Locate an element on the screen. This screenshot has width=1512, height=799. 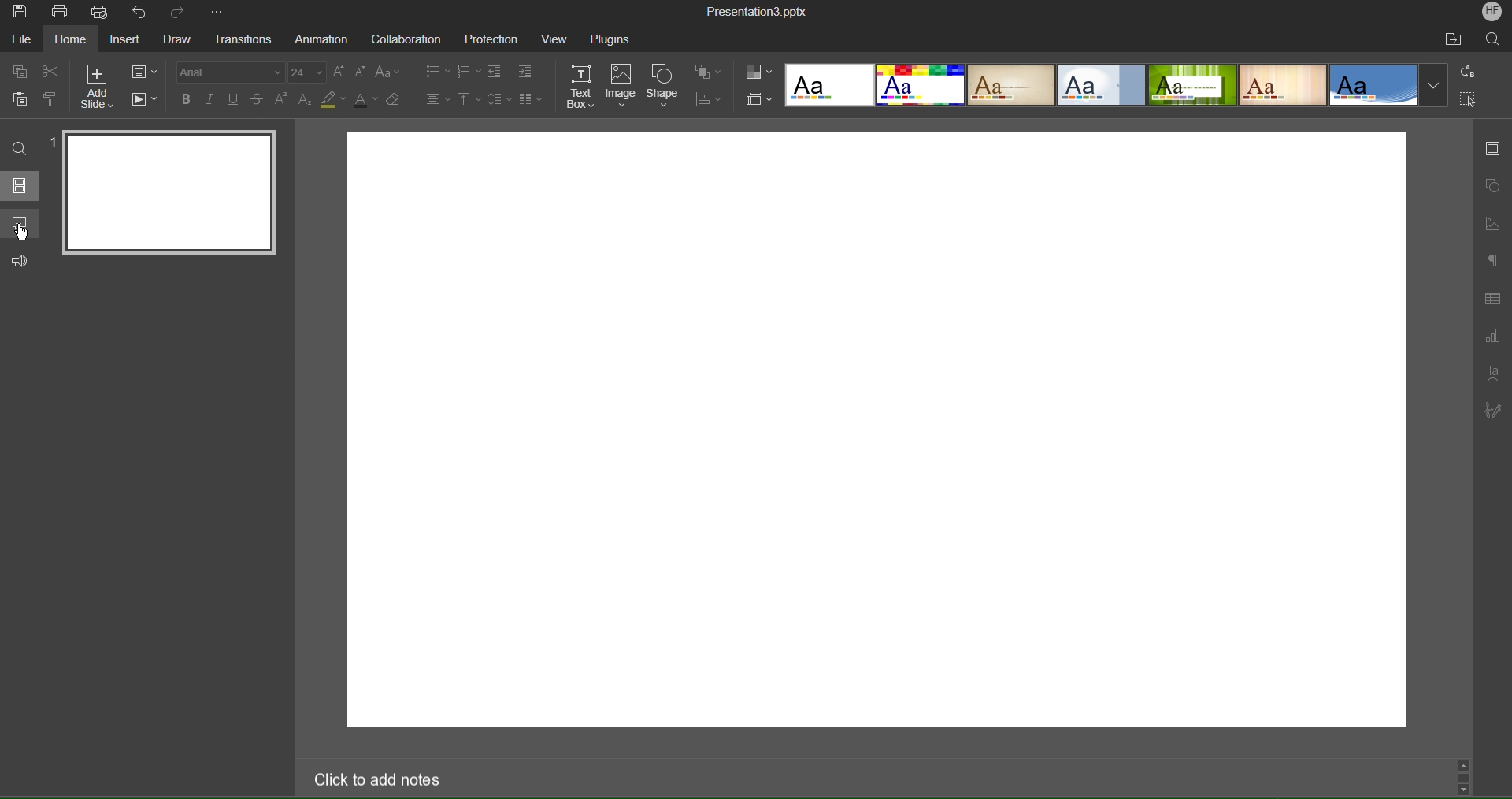
home is located at coordinates (72, 41).